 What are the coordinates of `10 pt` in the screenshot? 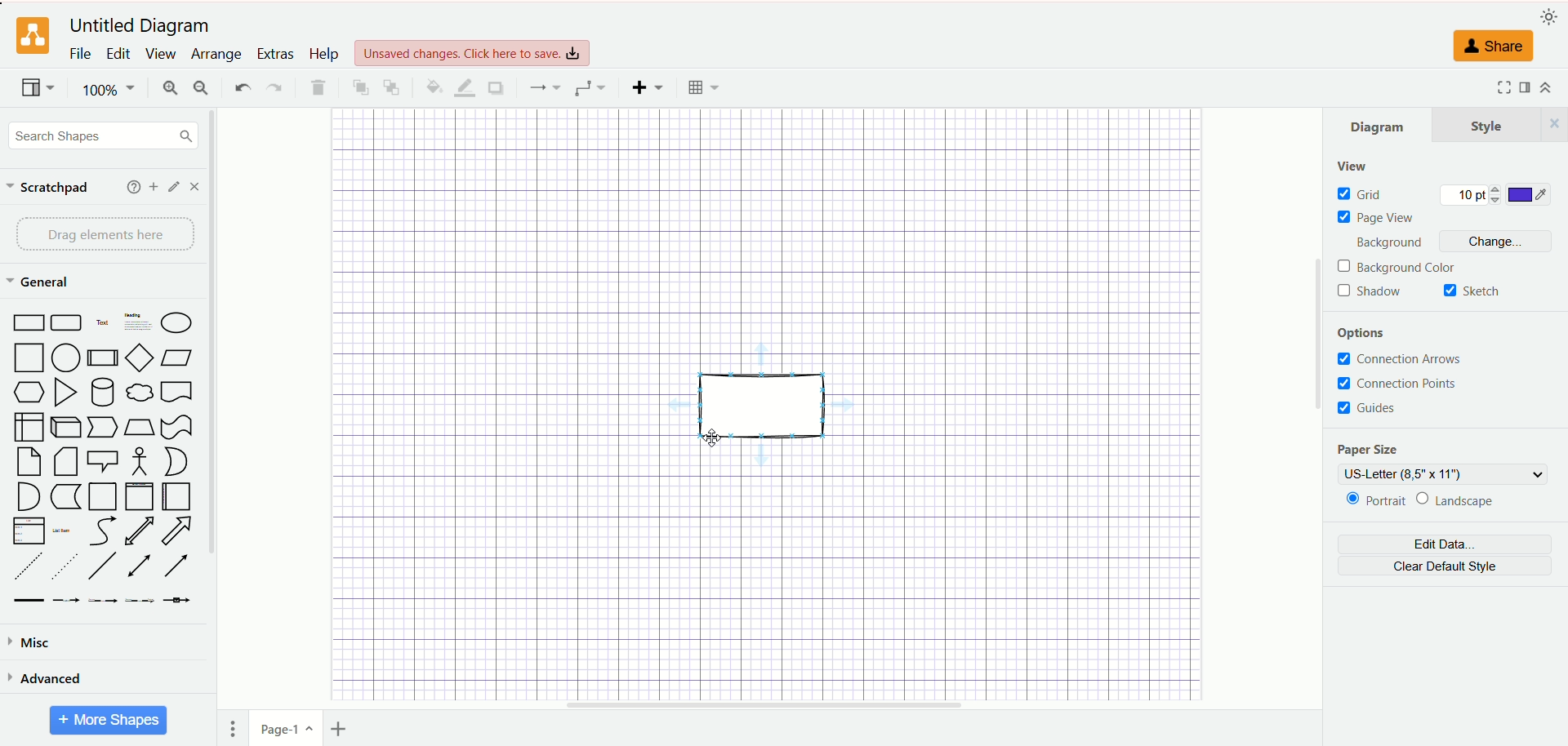 It's located at (1472, 196).